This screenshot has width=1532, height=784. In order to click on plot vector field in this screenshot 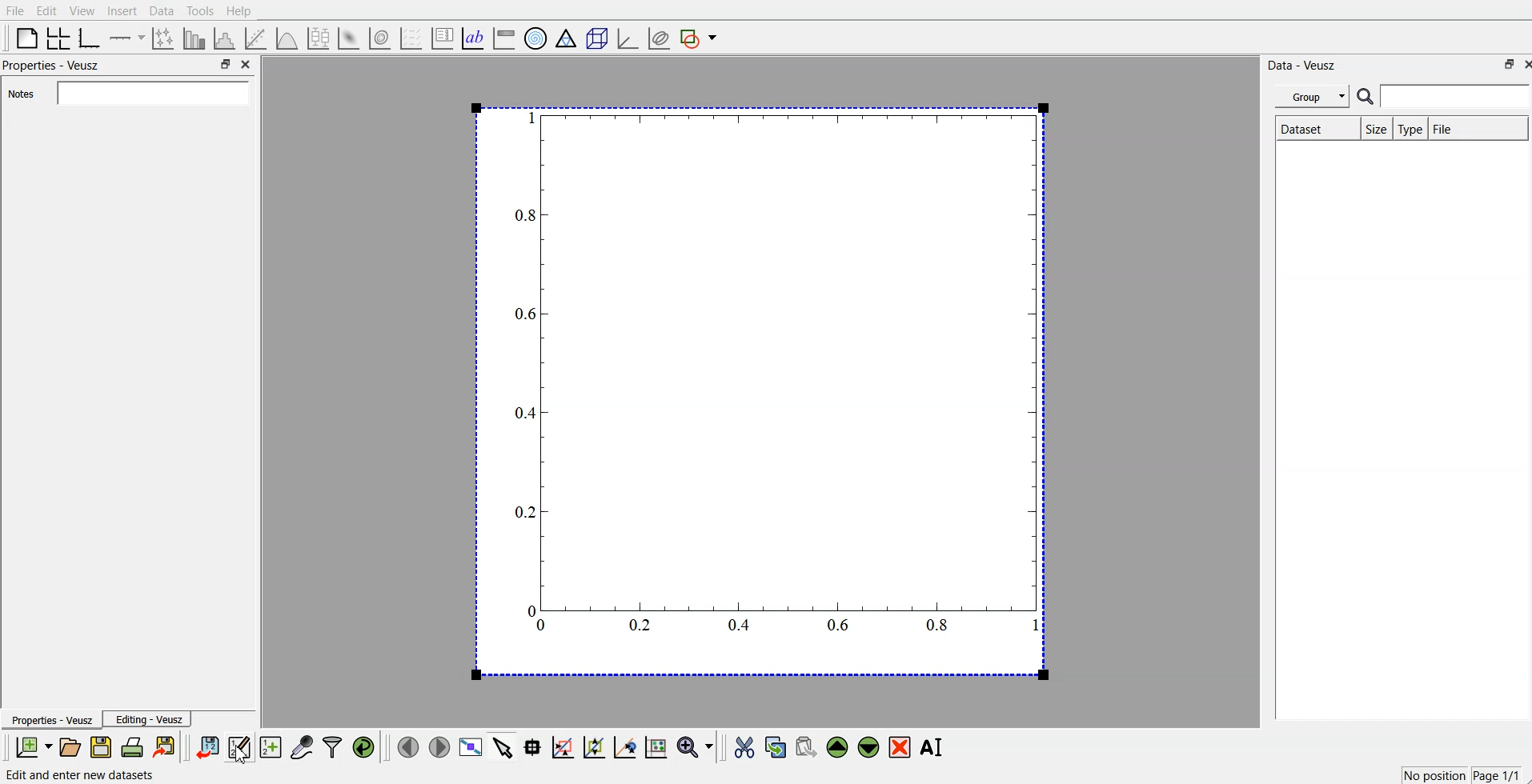, I will do `click(410, 36)`.